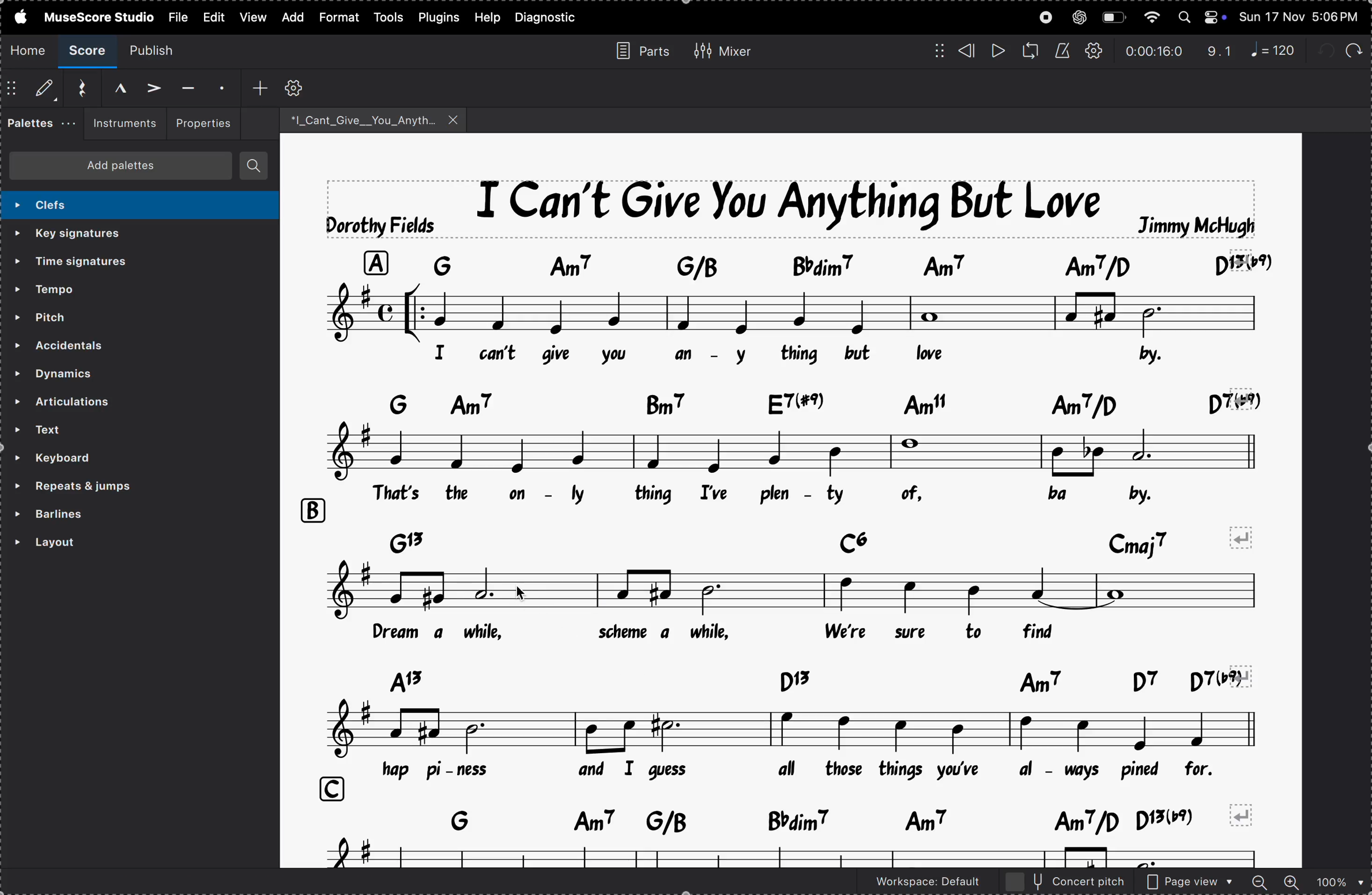  Describe the element at coordinates (311, 511) in the screenshot. I see `row` at that location.